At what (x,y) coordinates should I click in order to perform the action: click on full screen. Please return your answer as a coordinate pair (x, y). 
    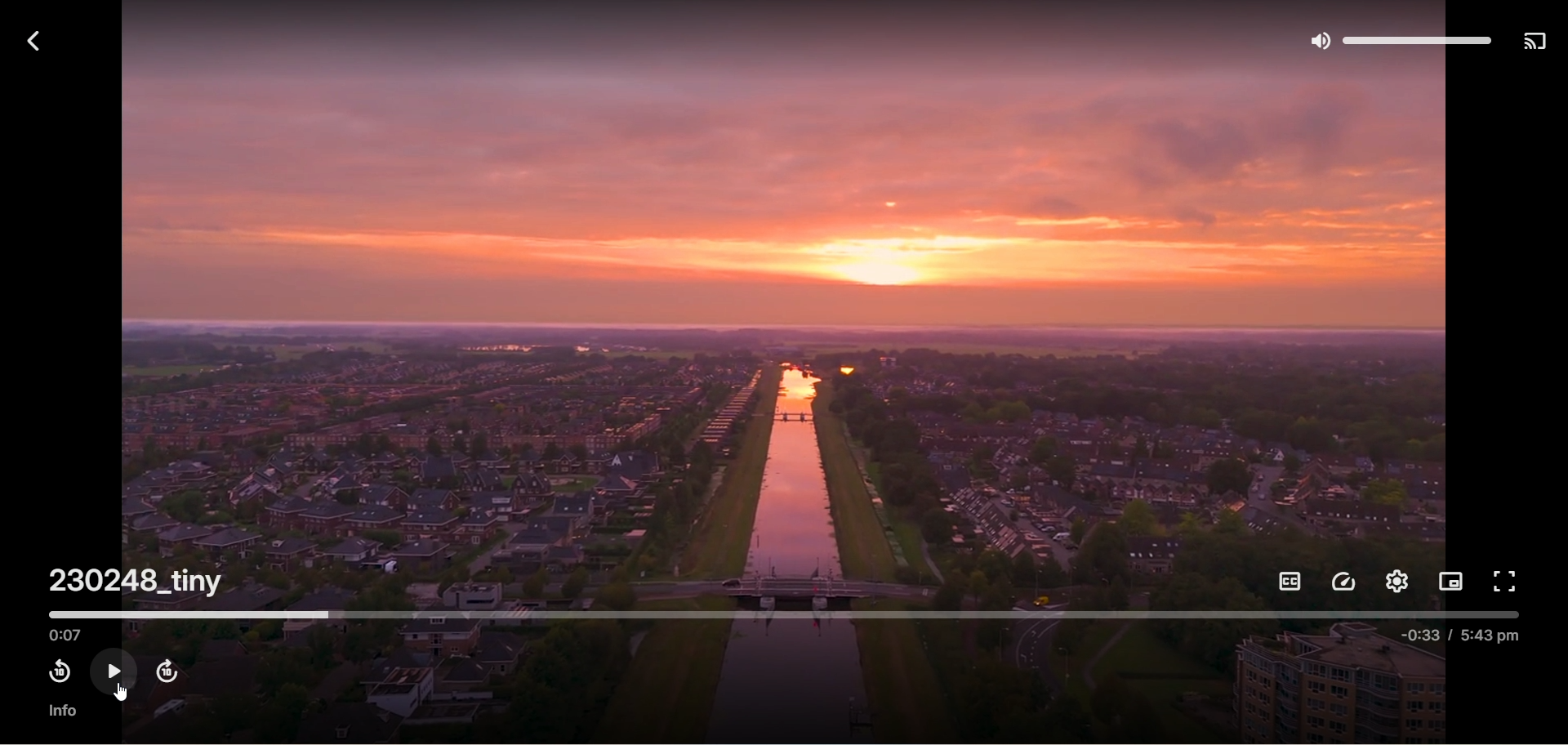
    Looking at the image, I should click on (1506, 579).